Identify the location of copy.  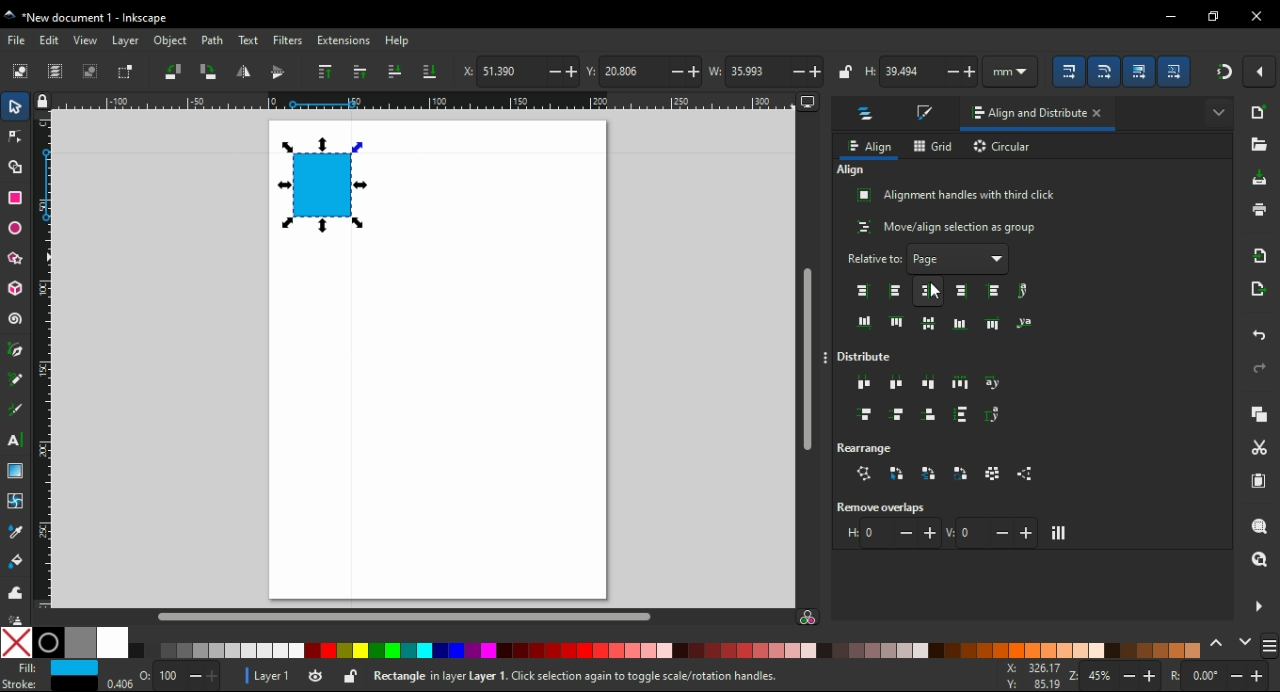
(1261, 414).